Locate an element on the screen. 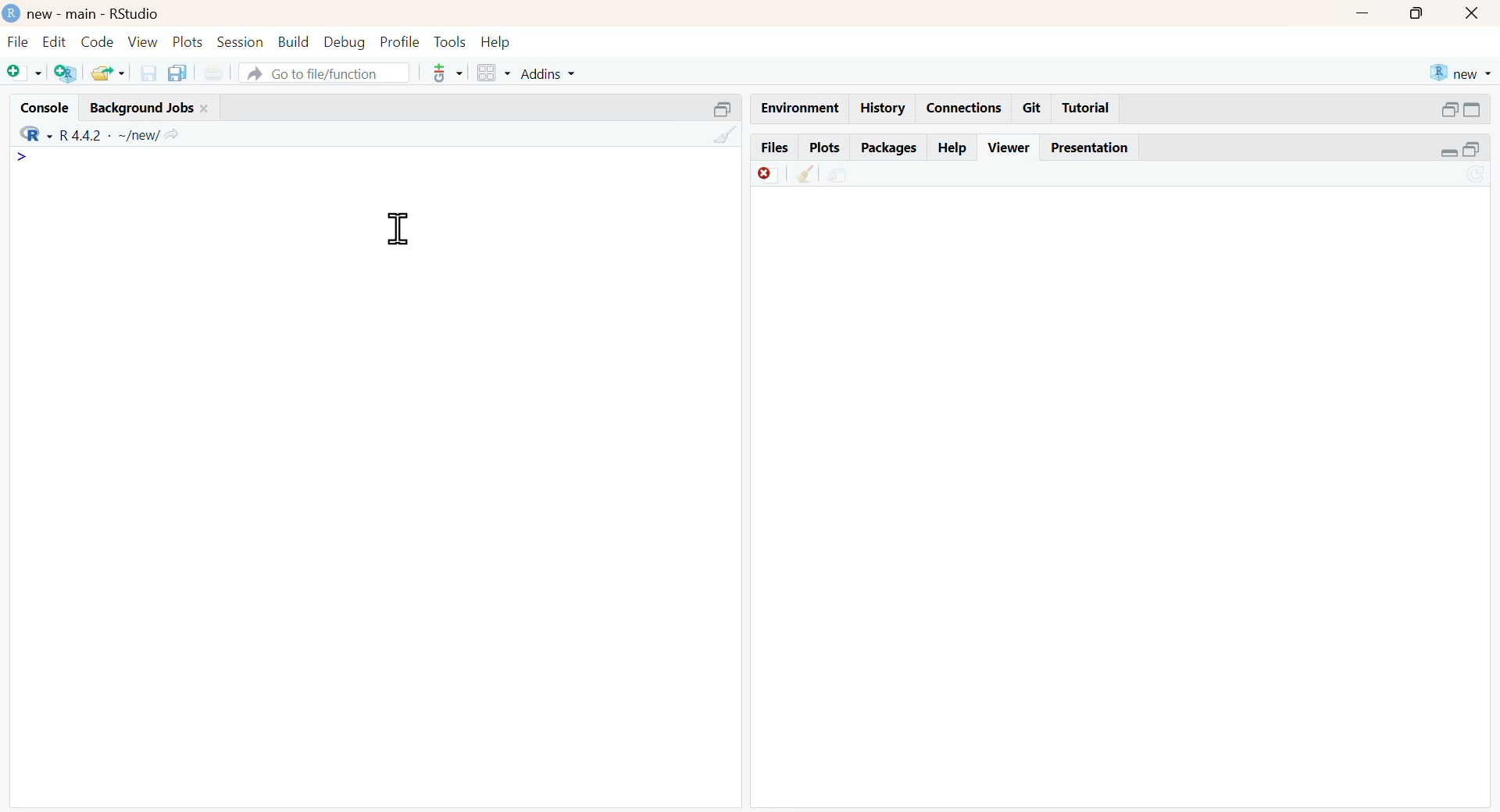  Connections is located at coordinates (962, 106).